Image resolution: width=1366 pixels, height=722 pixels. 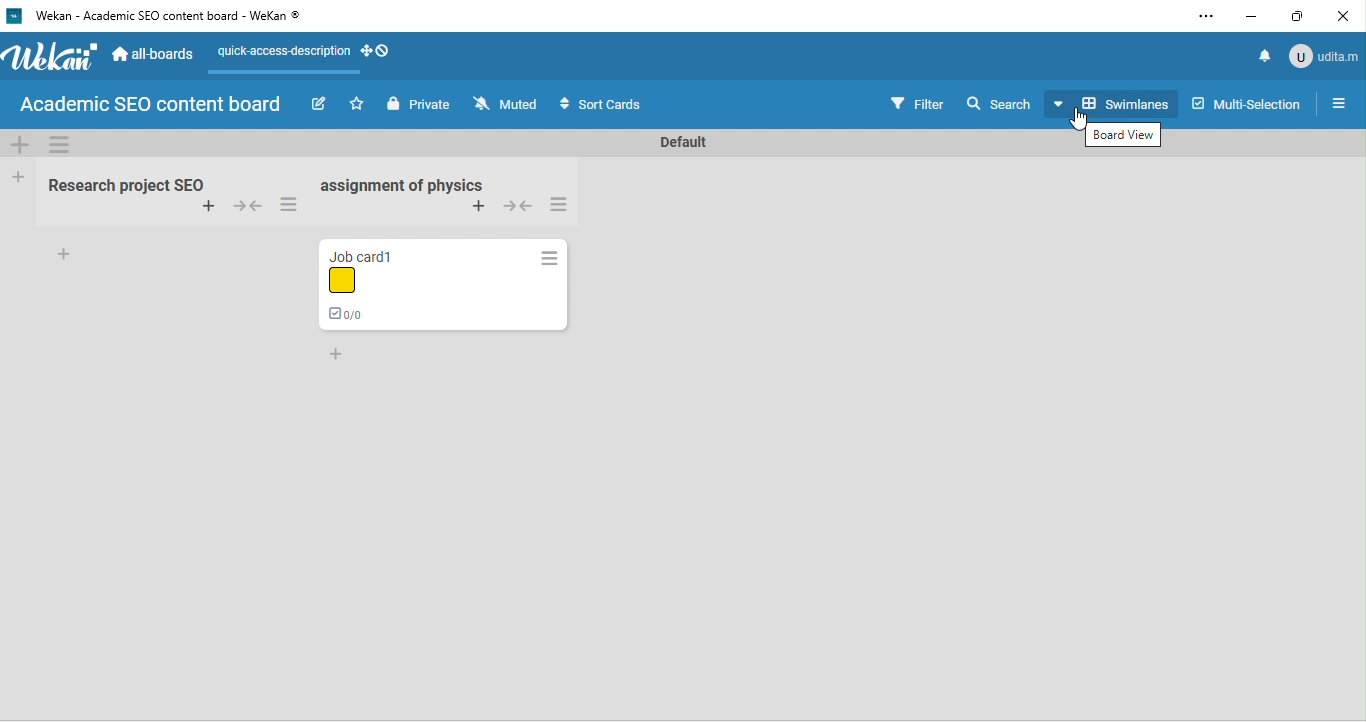 I want to click on muted, so click(x=508, y=104).